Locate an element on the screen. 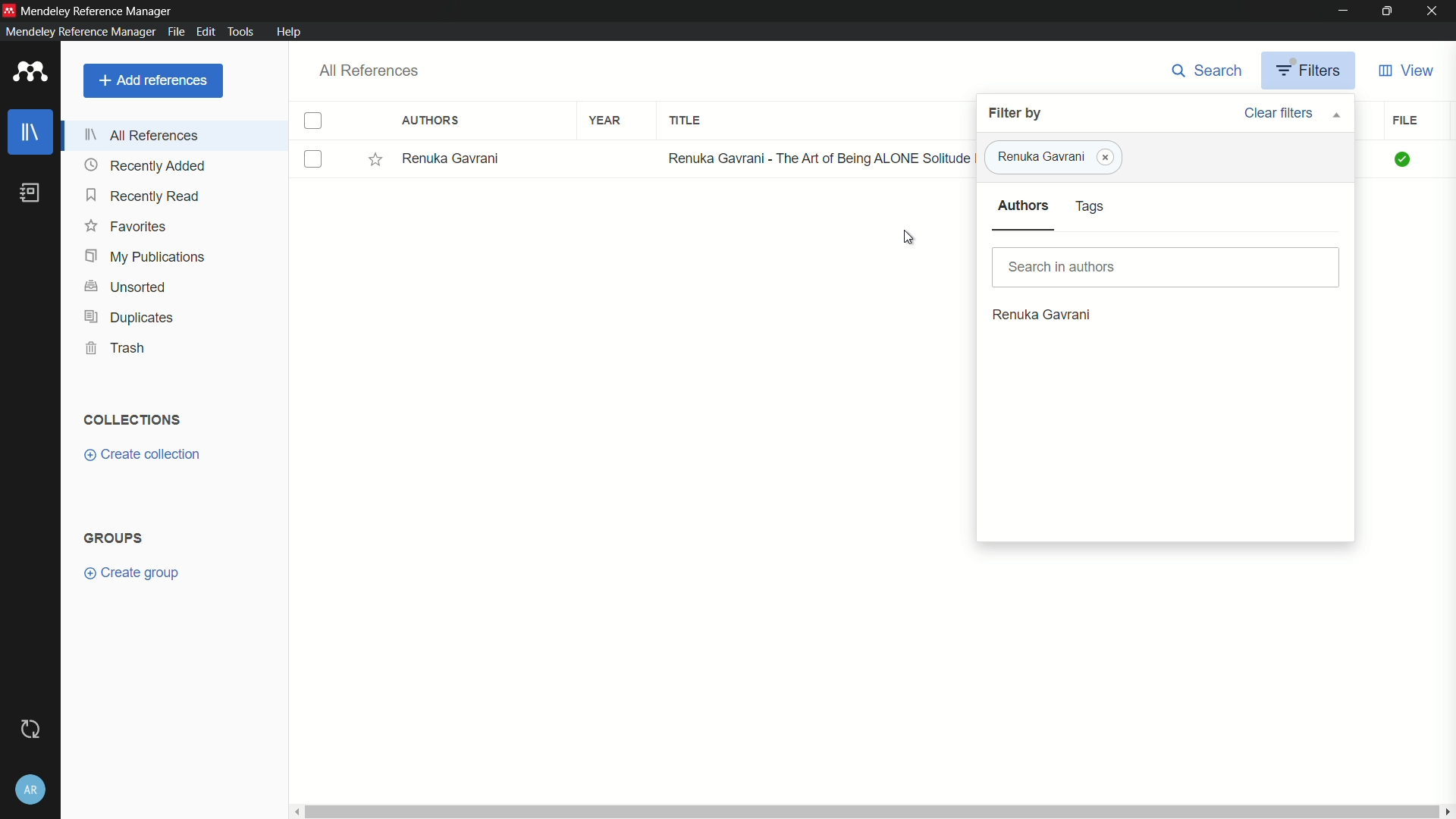 The height and width of the screenshot is (819, 1456). Horizontal scroll bar is located at coordinates (871, 811).